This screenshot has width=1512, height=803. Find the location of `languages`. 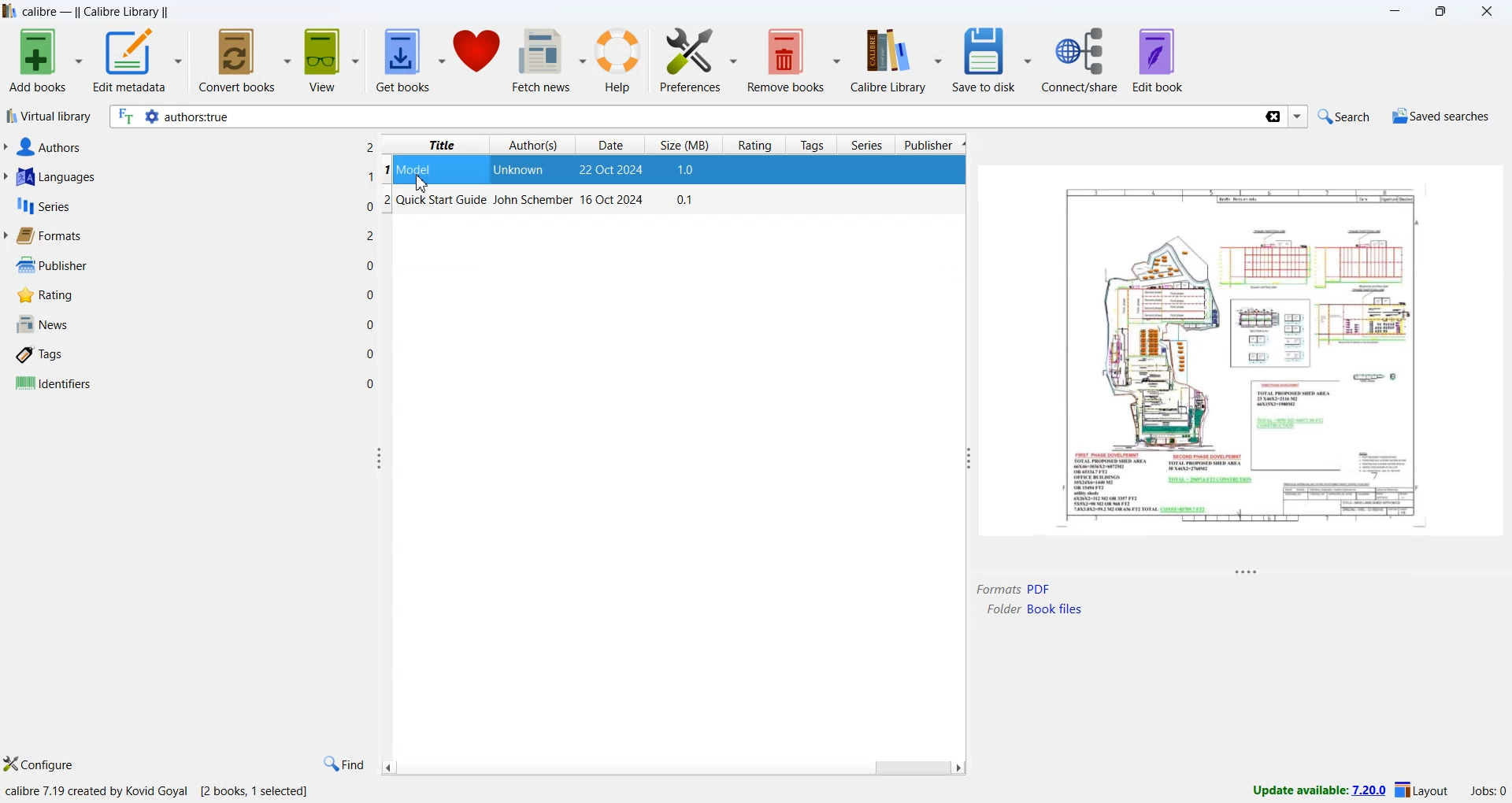

languages is located at coordinates (54, 179).